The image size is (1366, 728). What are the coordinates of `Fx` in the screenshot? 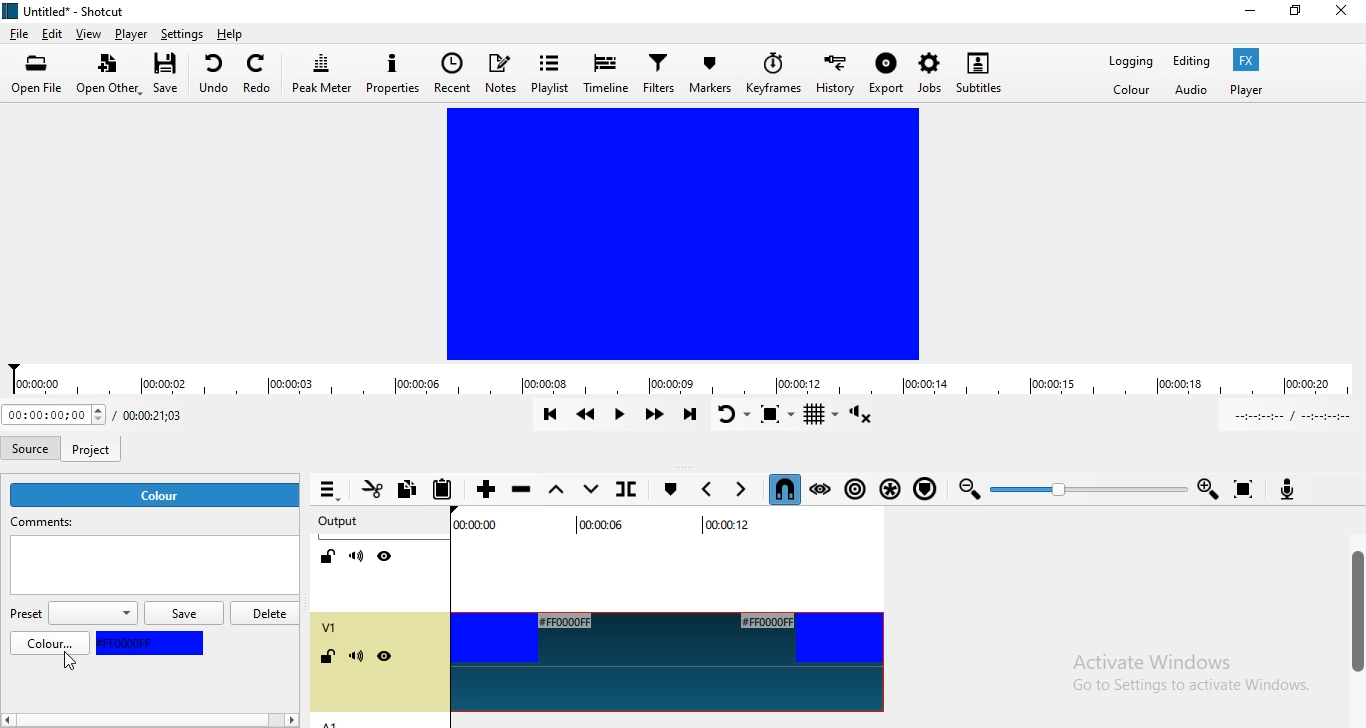 It's located at (1245, 60).